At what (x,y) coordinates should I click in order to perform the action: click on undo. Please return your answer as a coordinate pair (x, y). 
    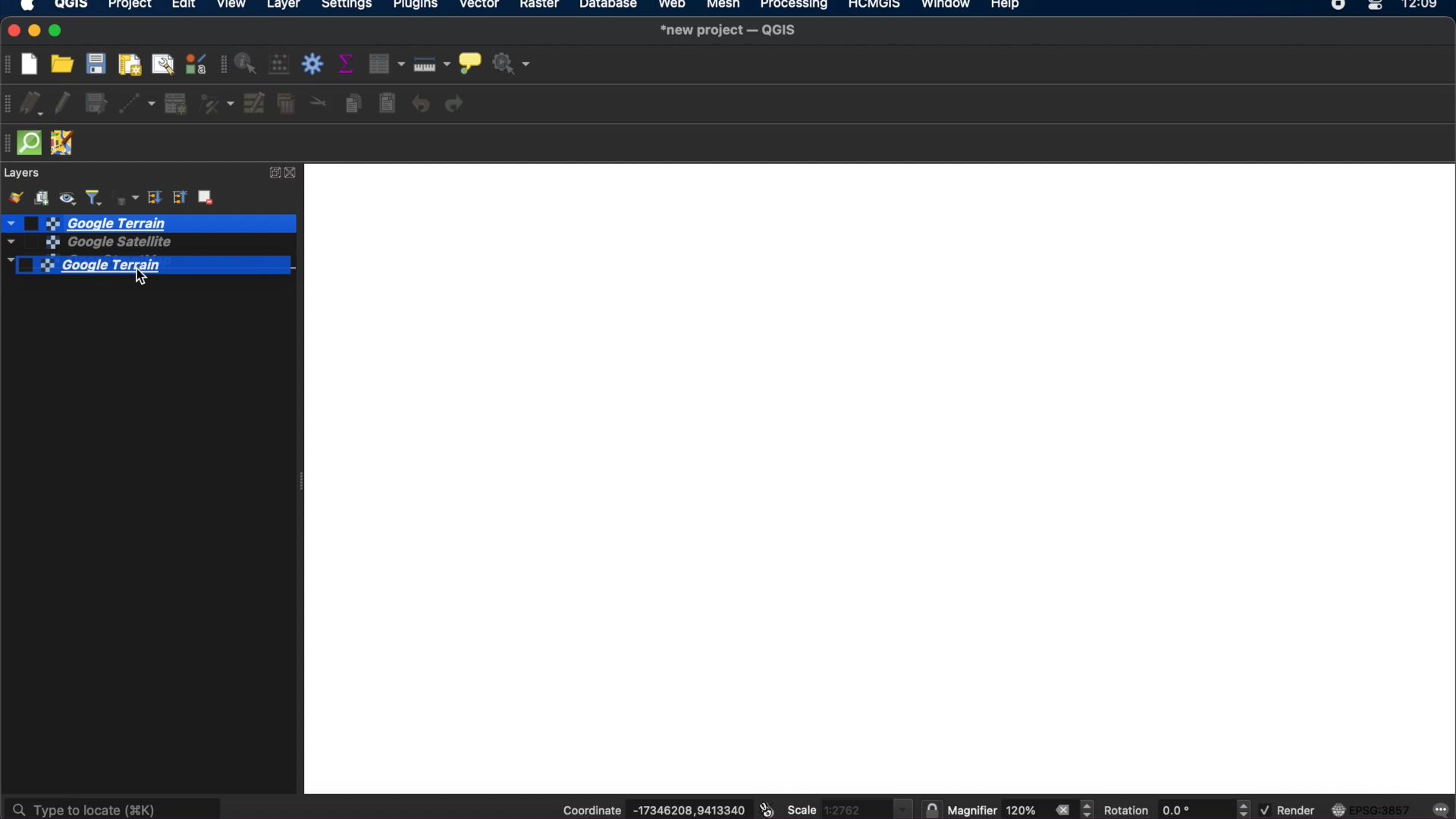
    Looking at the image, I should click on (421, 105).